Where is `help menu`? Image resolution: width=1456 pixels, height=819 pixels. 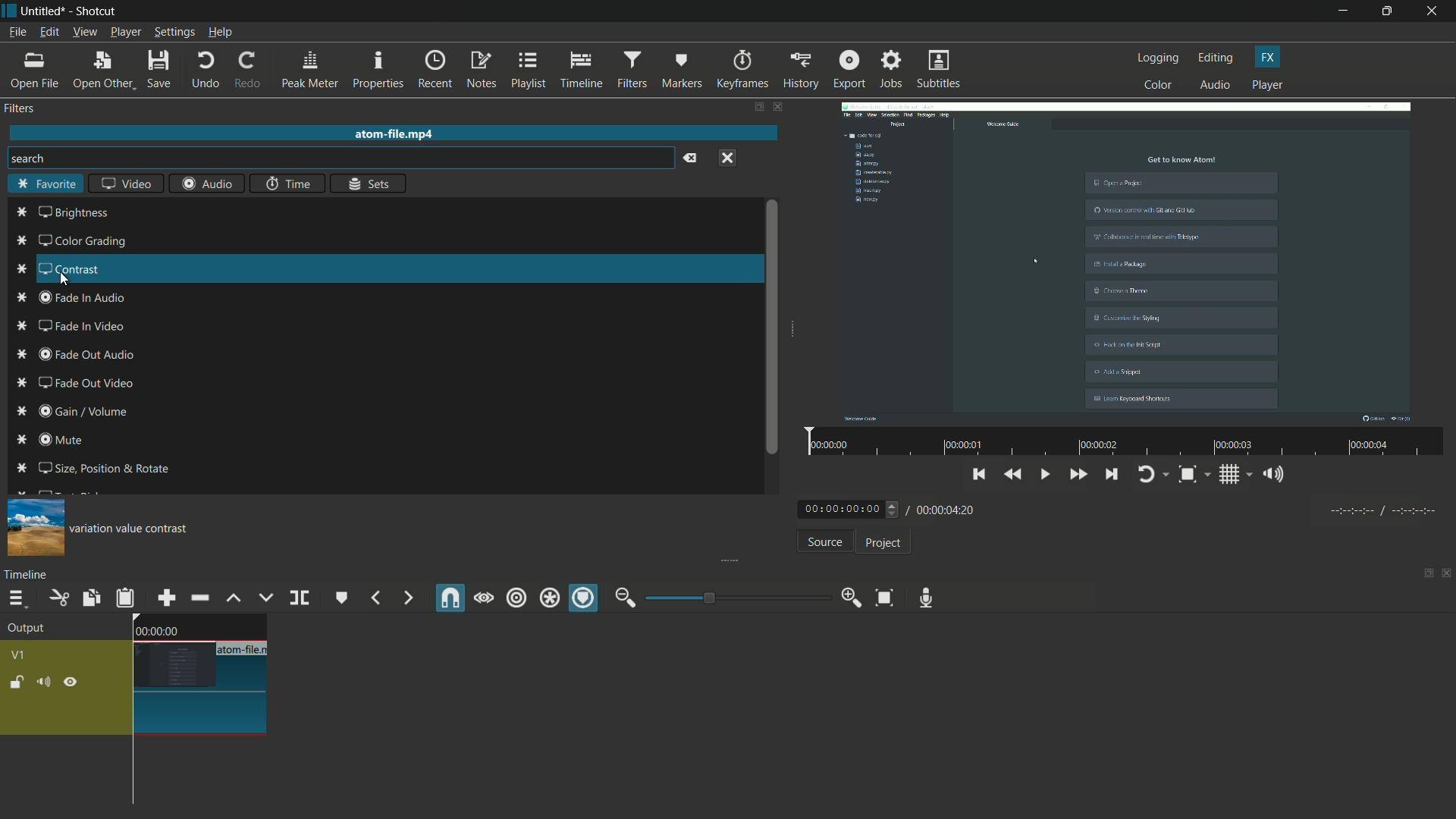 help menu is located at coordinates (221, 33).